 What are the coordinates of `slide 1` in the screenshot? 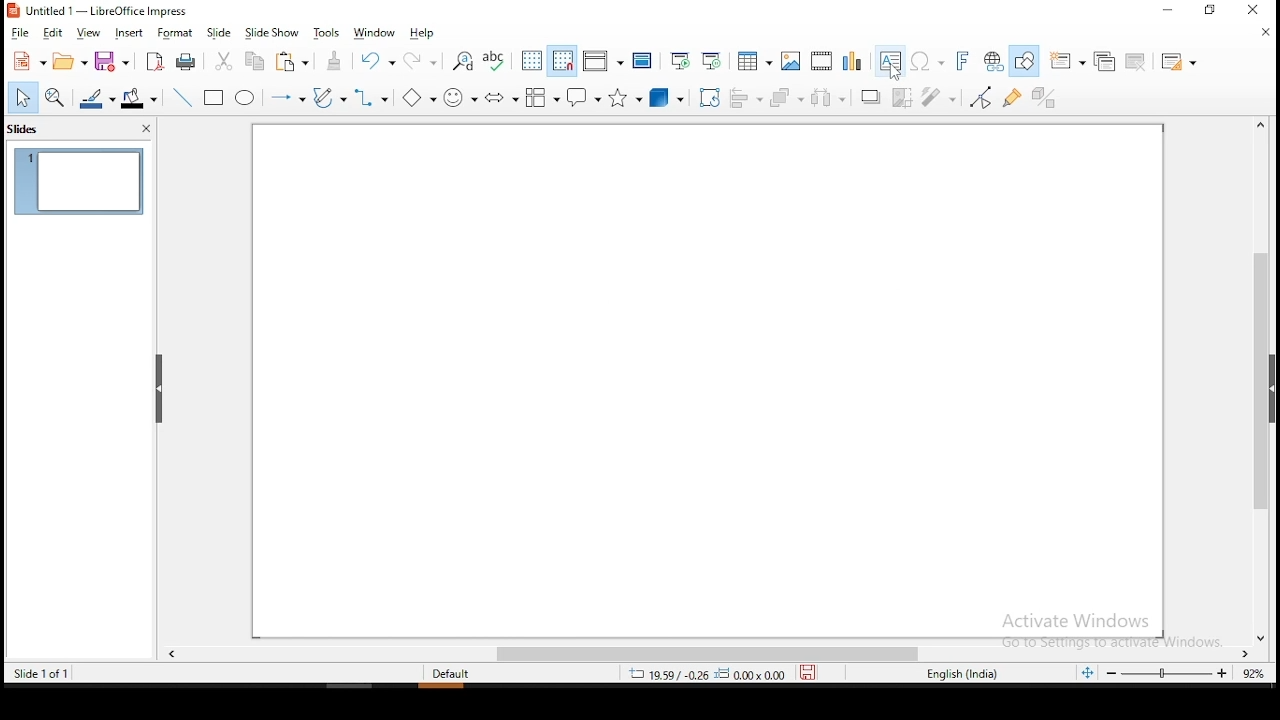 It's located at (82, 181).